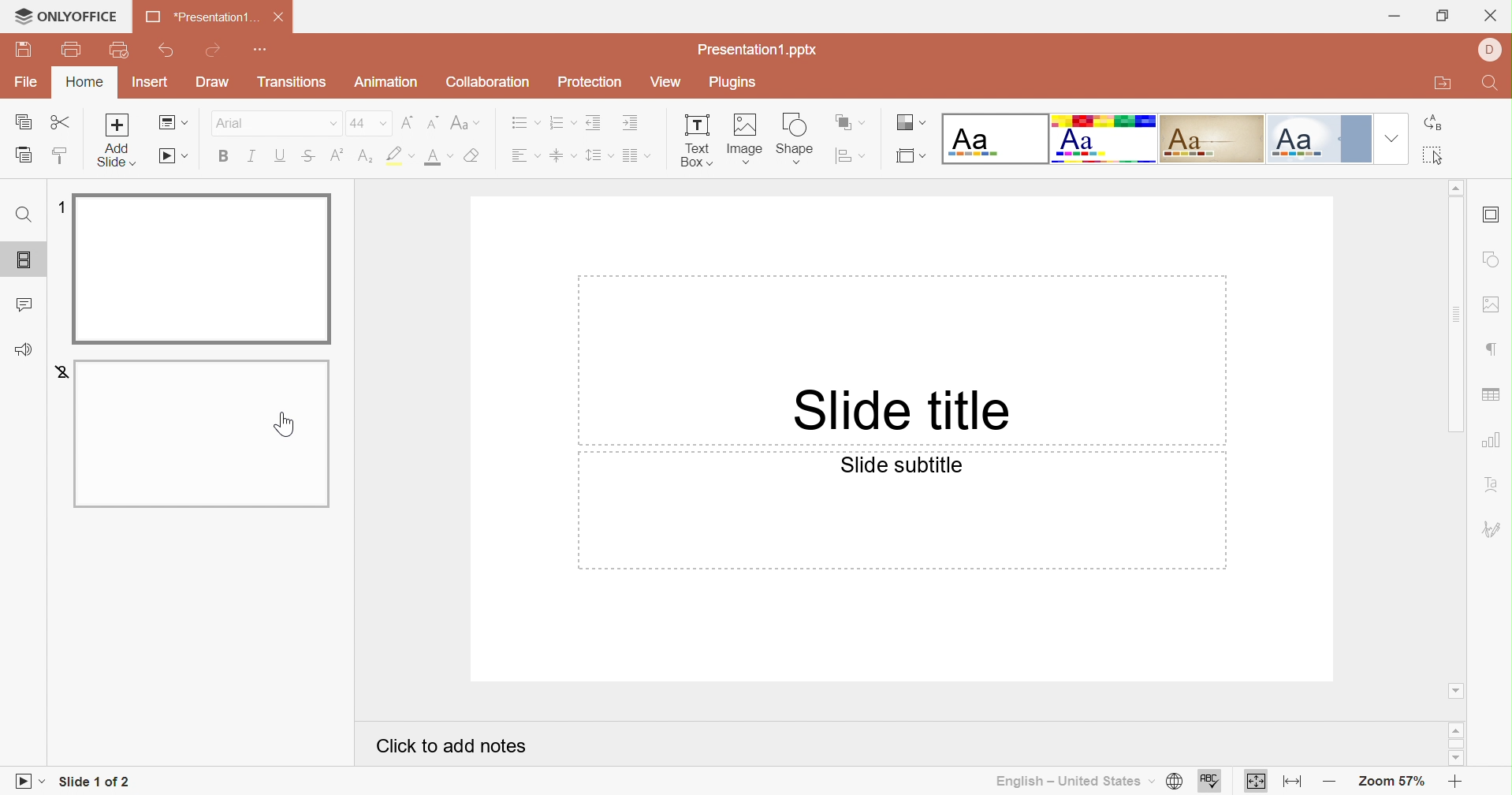  I want to click on Font size, so click(367, 123).